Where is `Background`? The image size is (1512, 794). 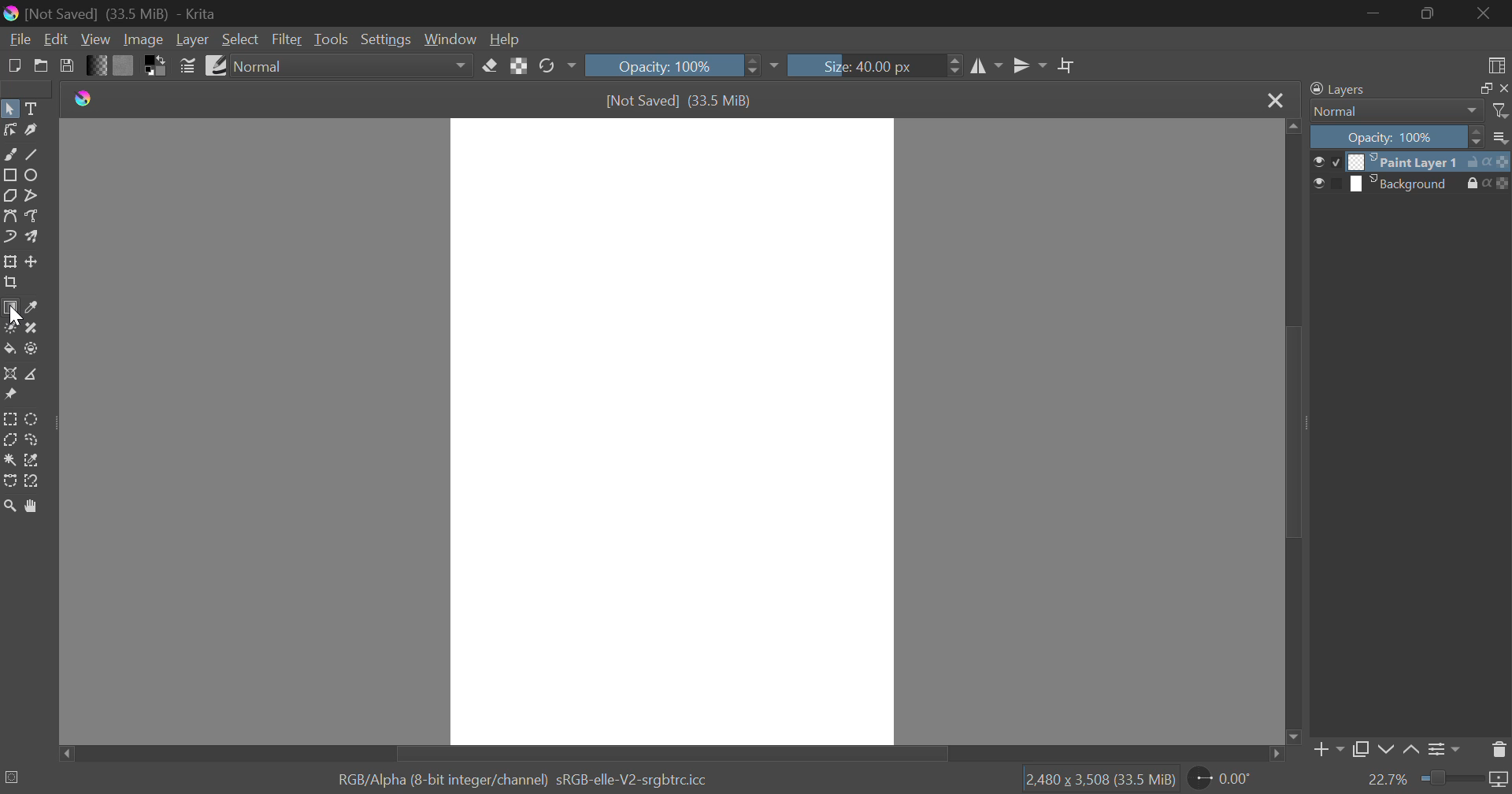 Background is located at coordinates (1406, 184).